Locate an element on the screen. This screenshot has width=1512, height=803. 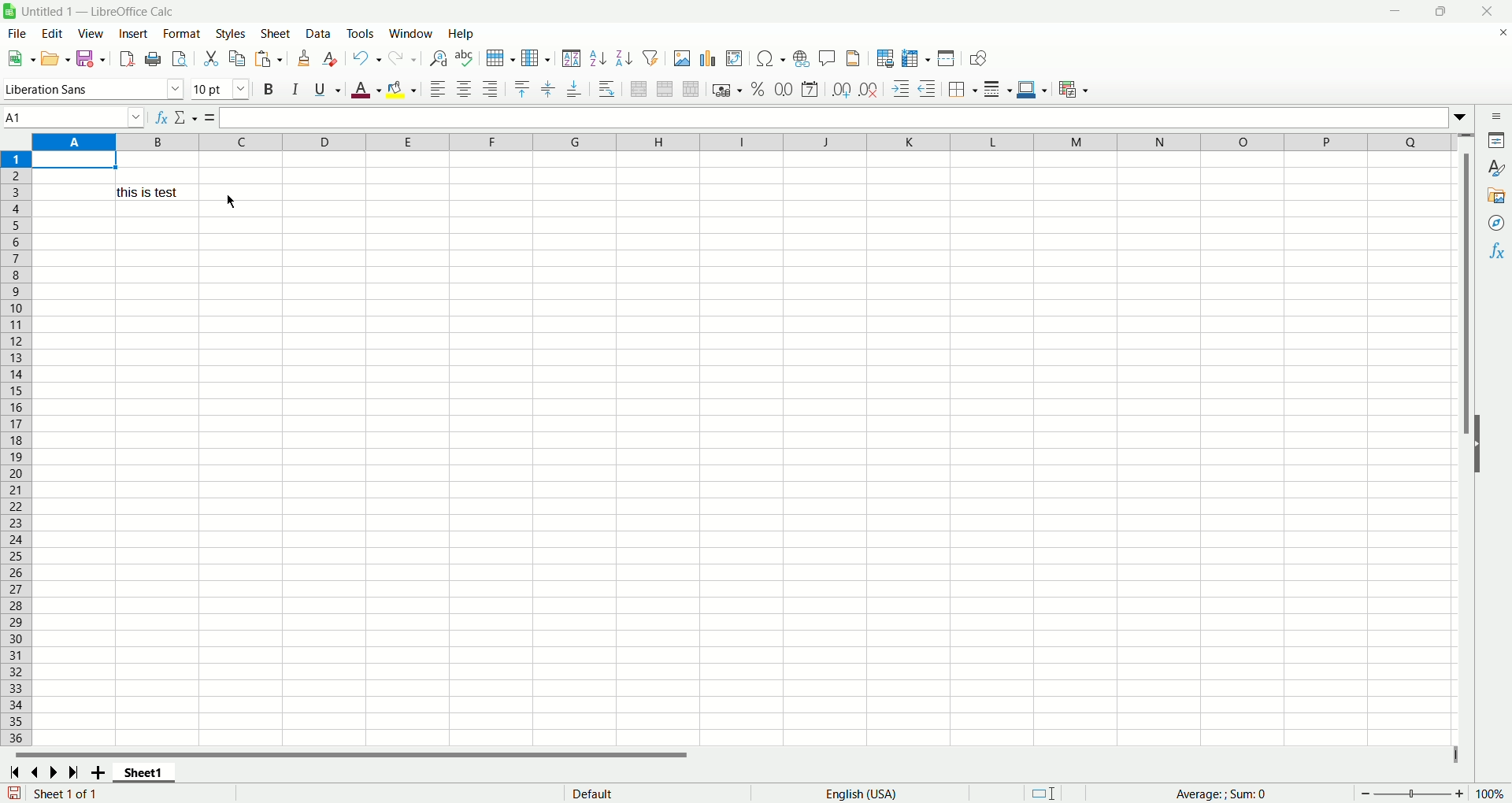
insert hyperlink is located at coordinates (801, 58).